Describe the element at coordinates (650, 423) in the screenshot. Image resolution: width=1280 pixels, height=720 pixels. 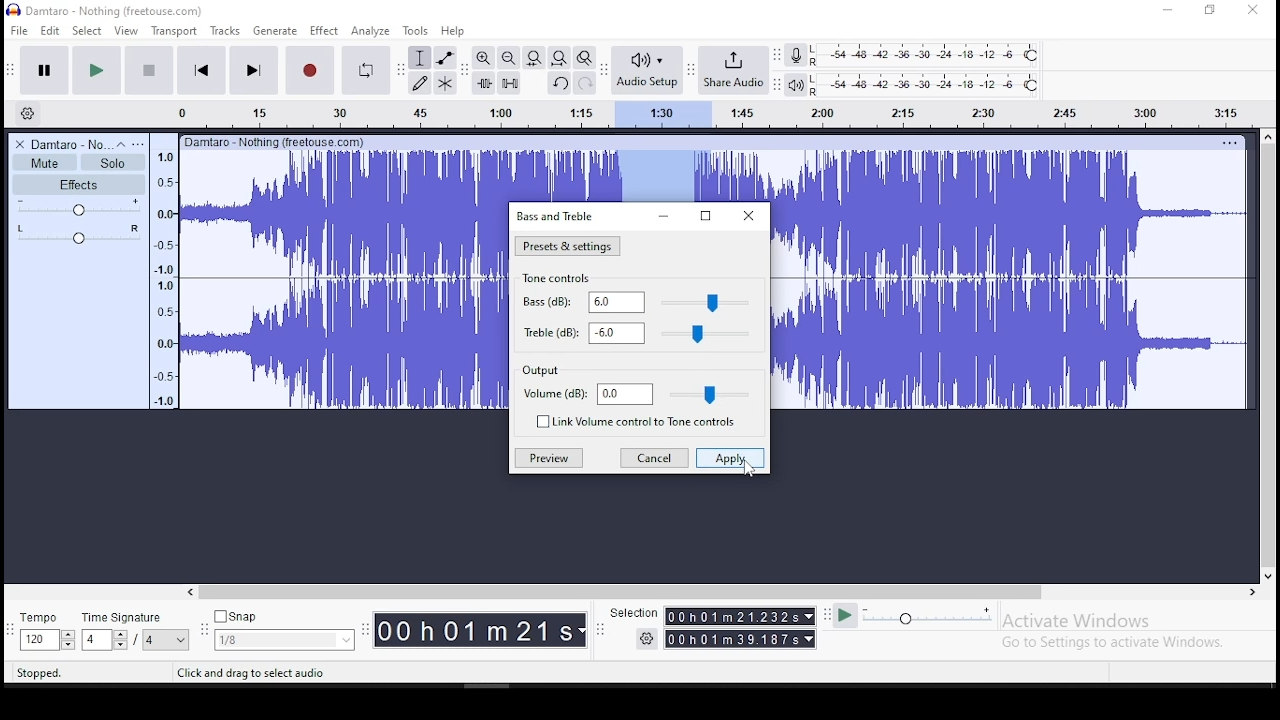
I see `link volume control to tone control on/off` at that location.